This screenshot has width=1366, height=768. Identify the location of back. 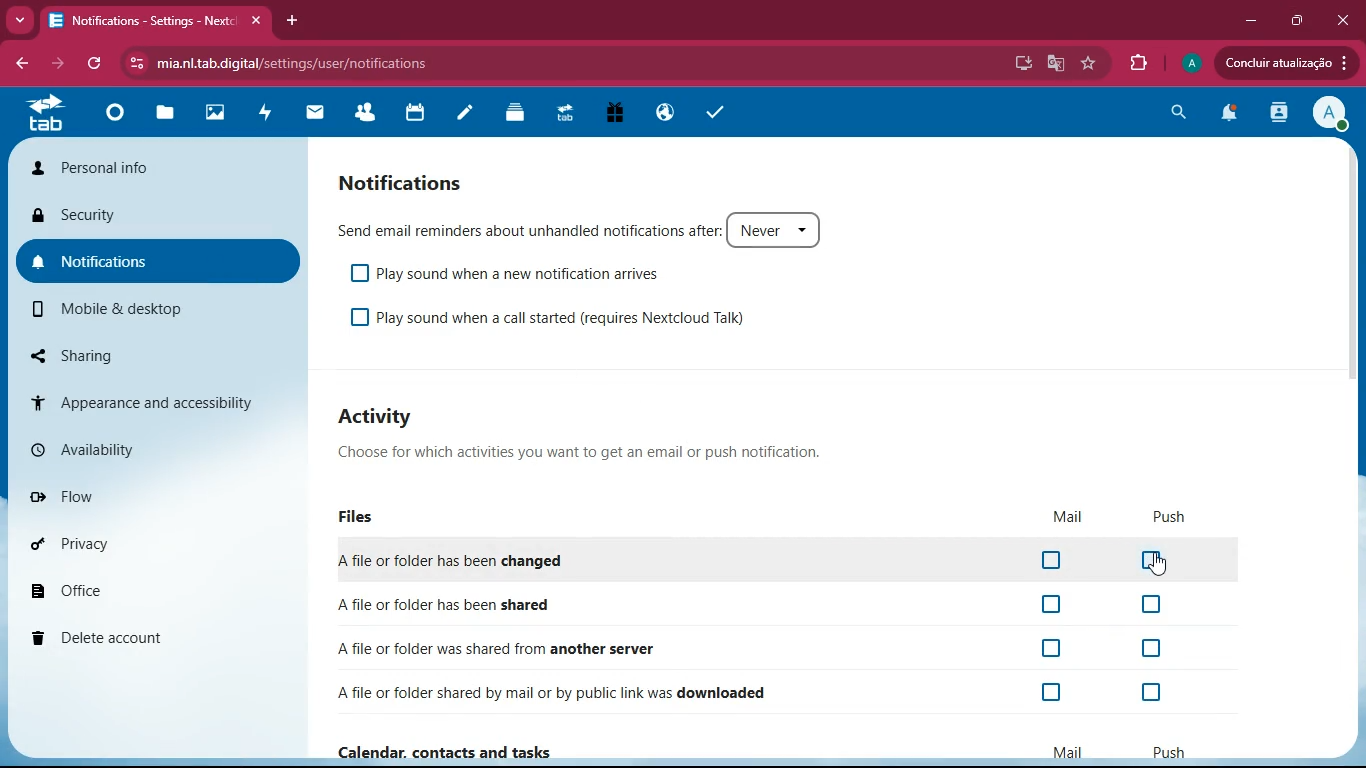
(21, 64).